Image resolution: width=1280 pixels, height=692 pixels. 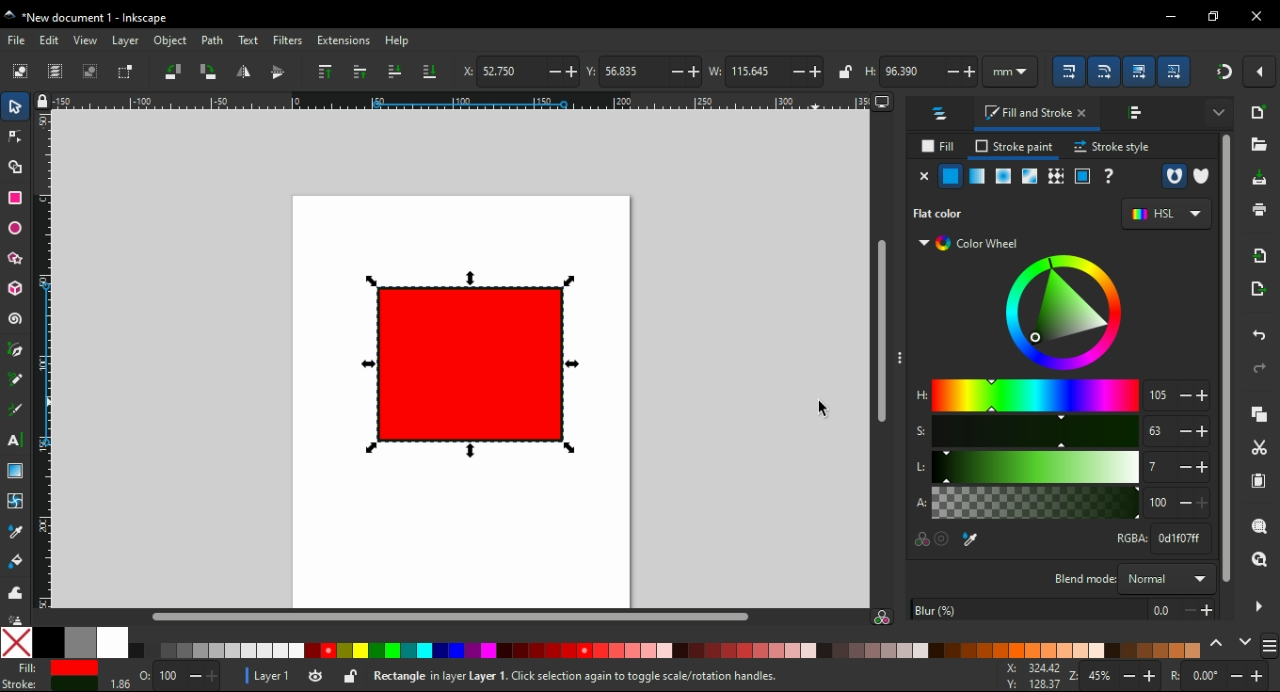 I want to click on increase/decrease, so click(x=1199, y=609).